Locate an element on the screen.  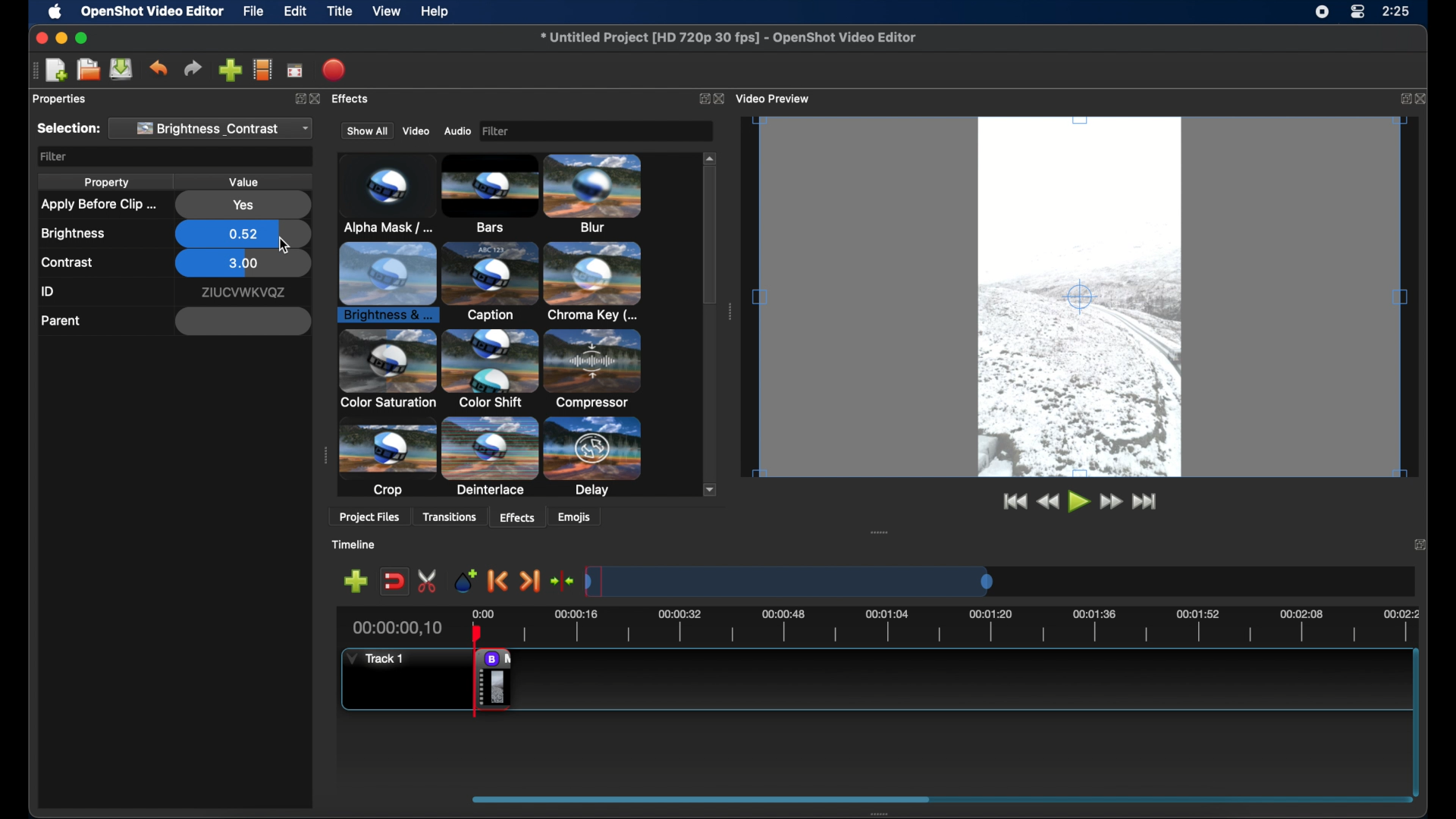
echo is located at coordinates (388, 464).